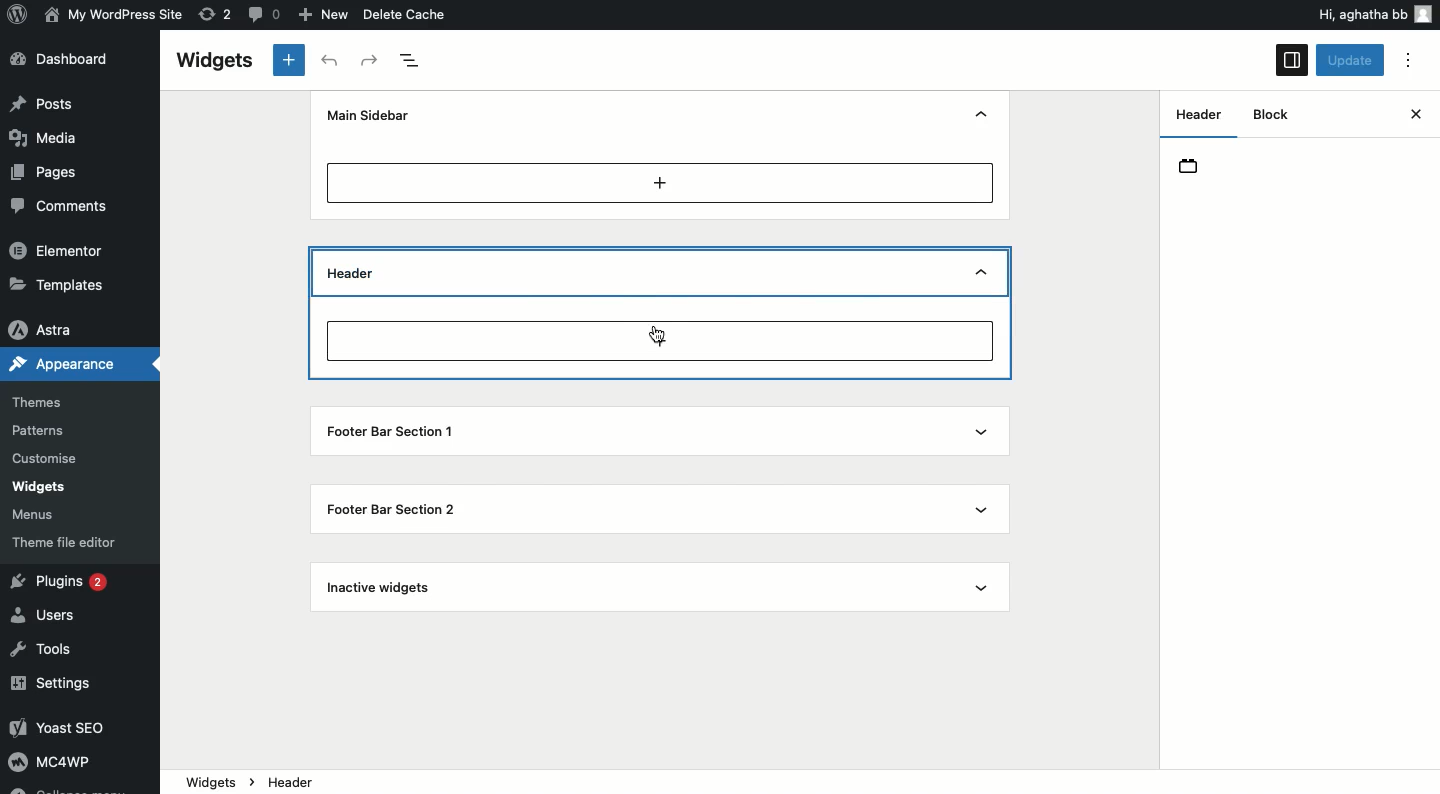 Image resolution: width=1440 pixels, height=794 pixels. What do you see at coordinates (1352, 60) in the screenshot?
I see `Update` at bounding box center [1352, 60].